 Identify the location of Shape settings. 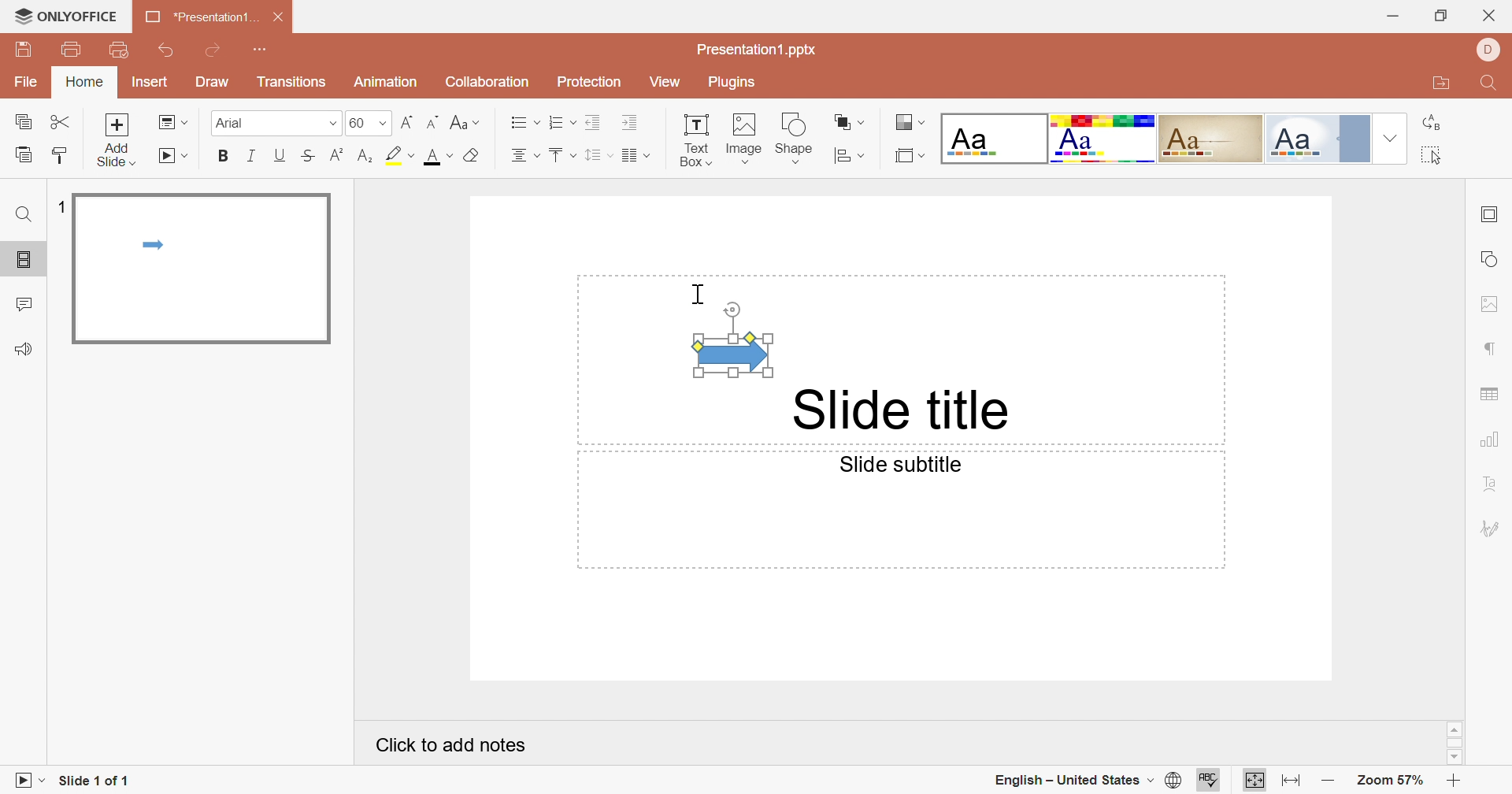
(1493, 258).